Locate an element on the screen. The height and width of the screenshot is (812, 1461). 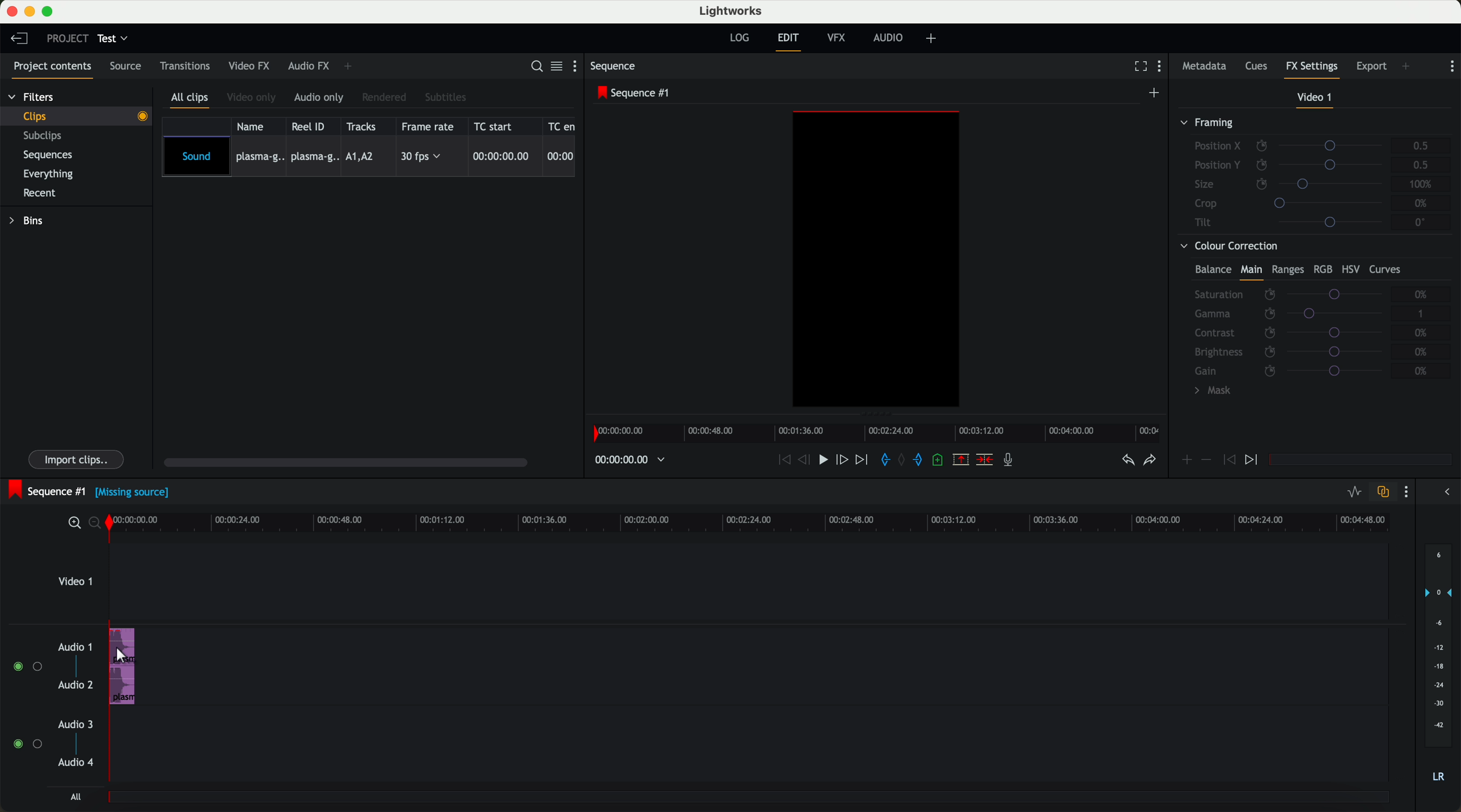
fullscreen is located at coordinates (1138, 67).